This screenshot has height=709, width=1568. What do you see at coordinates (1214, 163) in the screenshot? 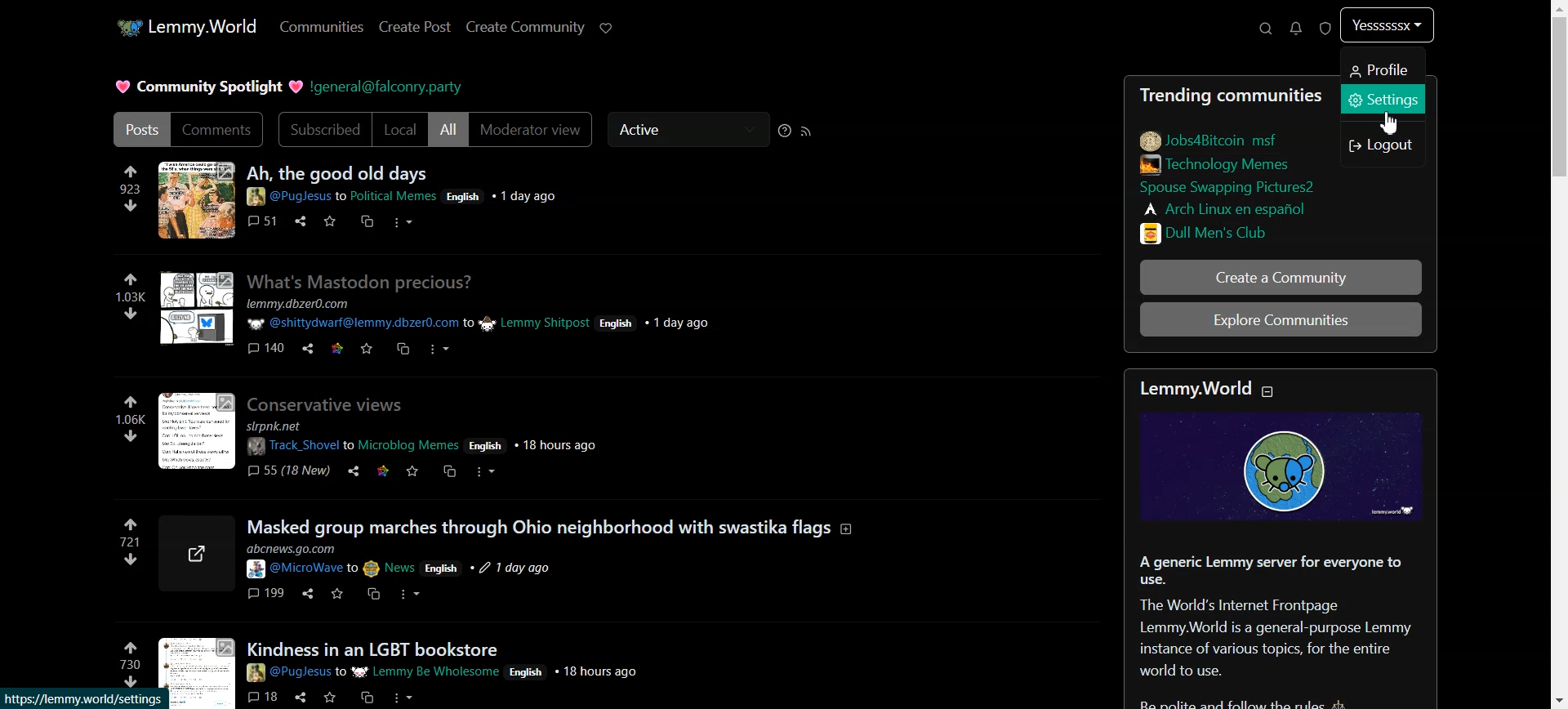
I see `link` at bounding box center [1214, 163].